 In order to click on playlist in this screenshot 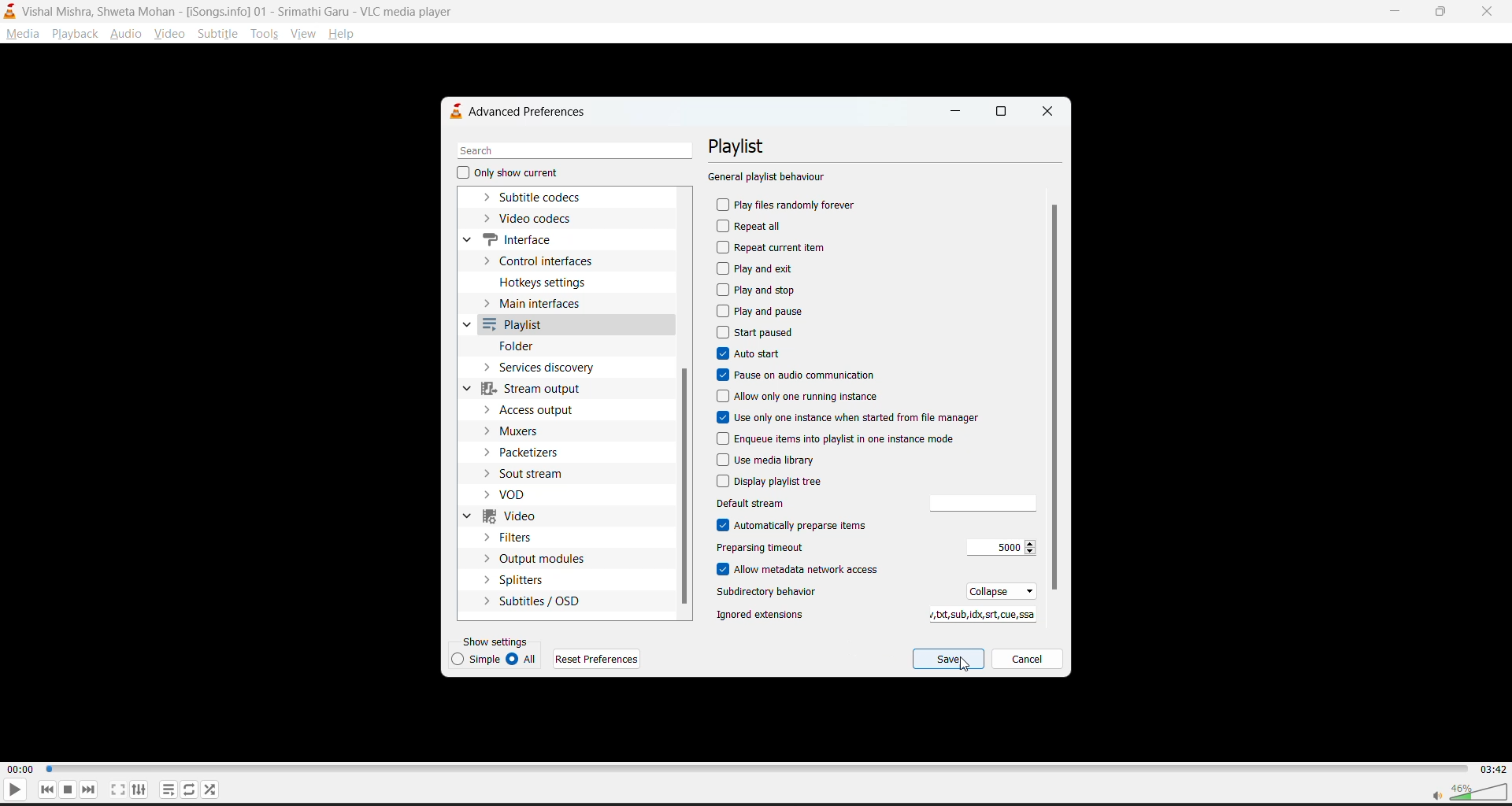, I will do `click(513, 323)`.